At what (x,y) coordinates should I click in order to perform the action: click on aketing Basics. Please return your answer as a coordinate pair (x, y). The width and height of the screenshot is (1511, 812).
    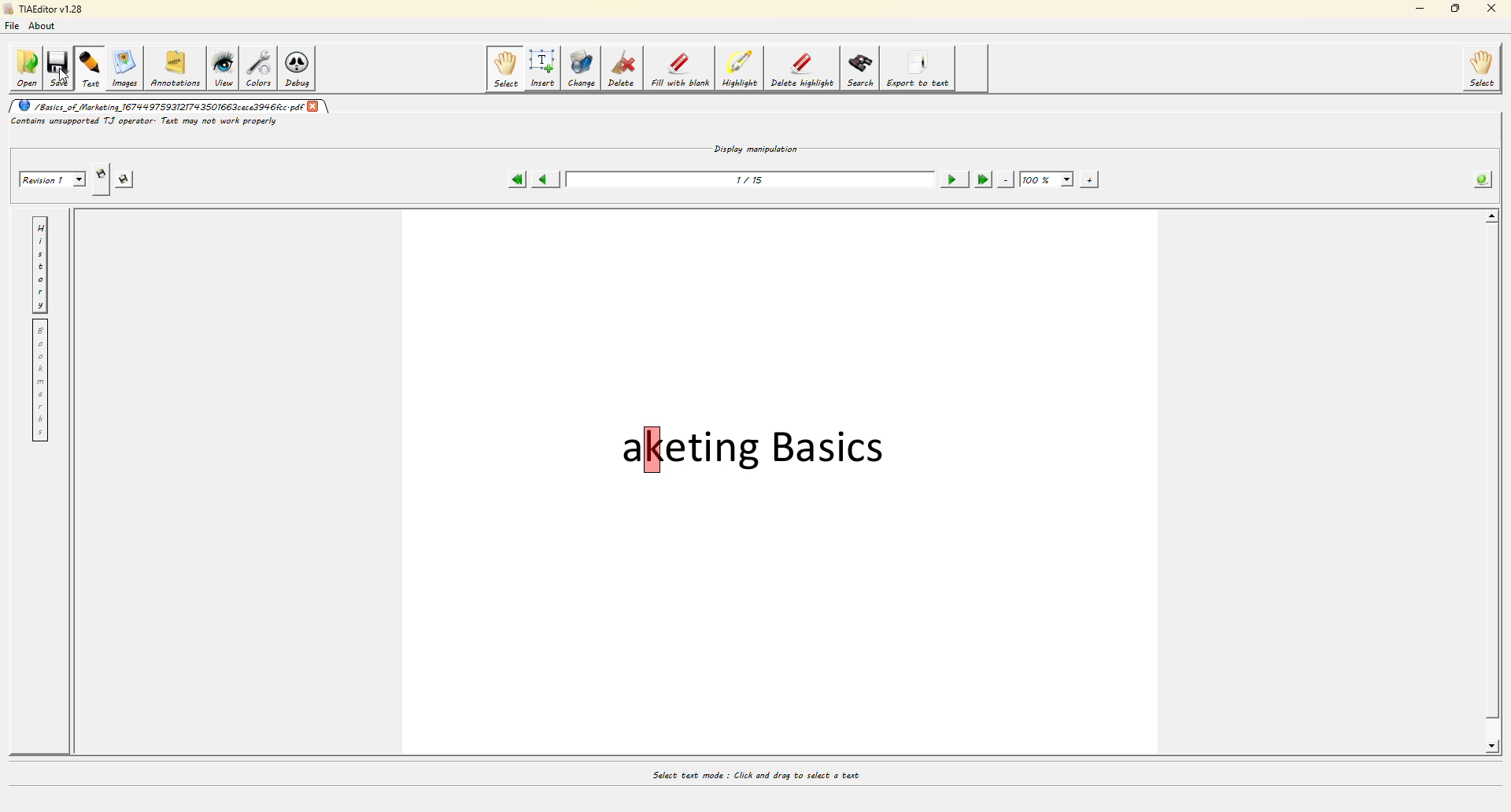
    Looking at the image, I should click on (757, 449).